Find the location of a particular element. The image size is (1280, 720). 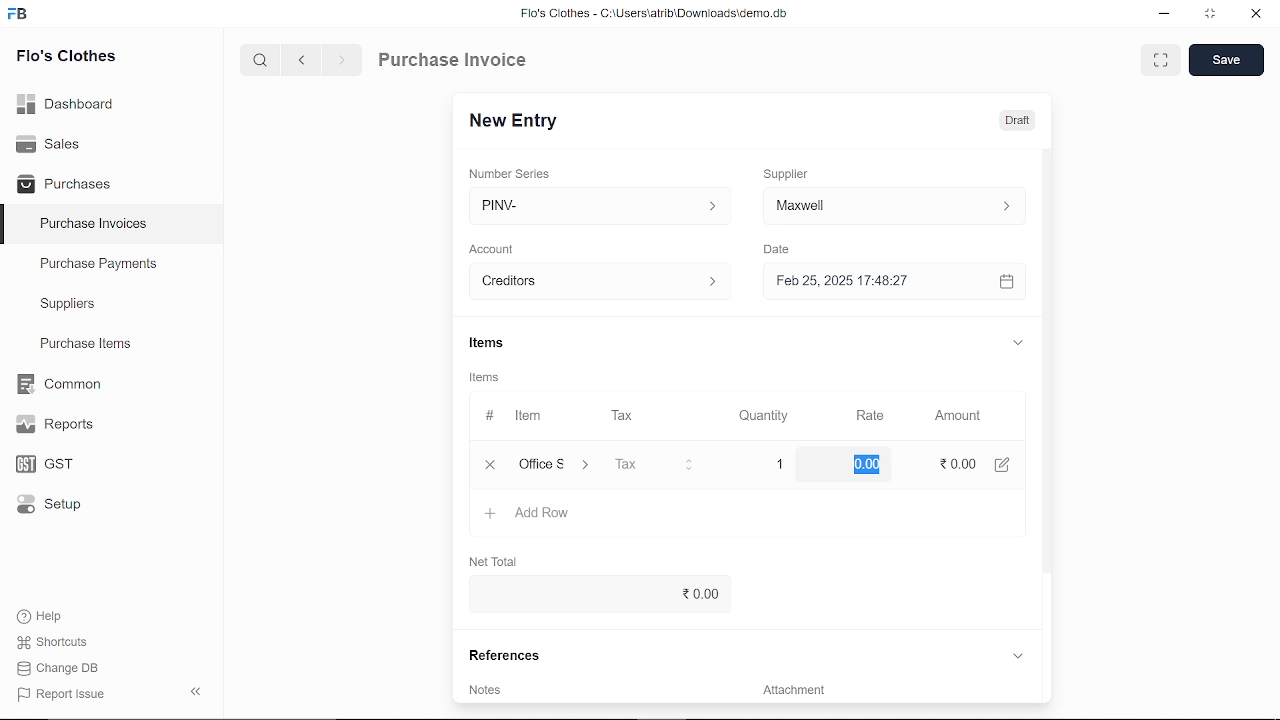

‘Attachment is located at coordinates (792, 693).